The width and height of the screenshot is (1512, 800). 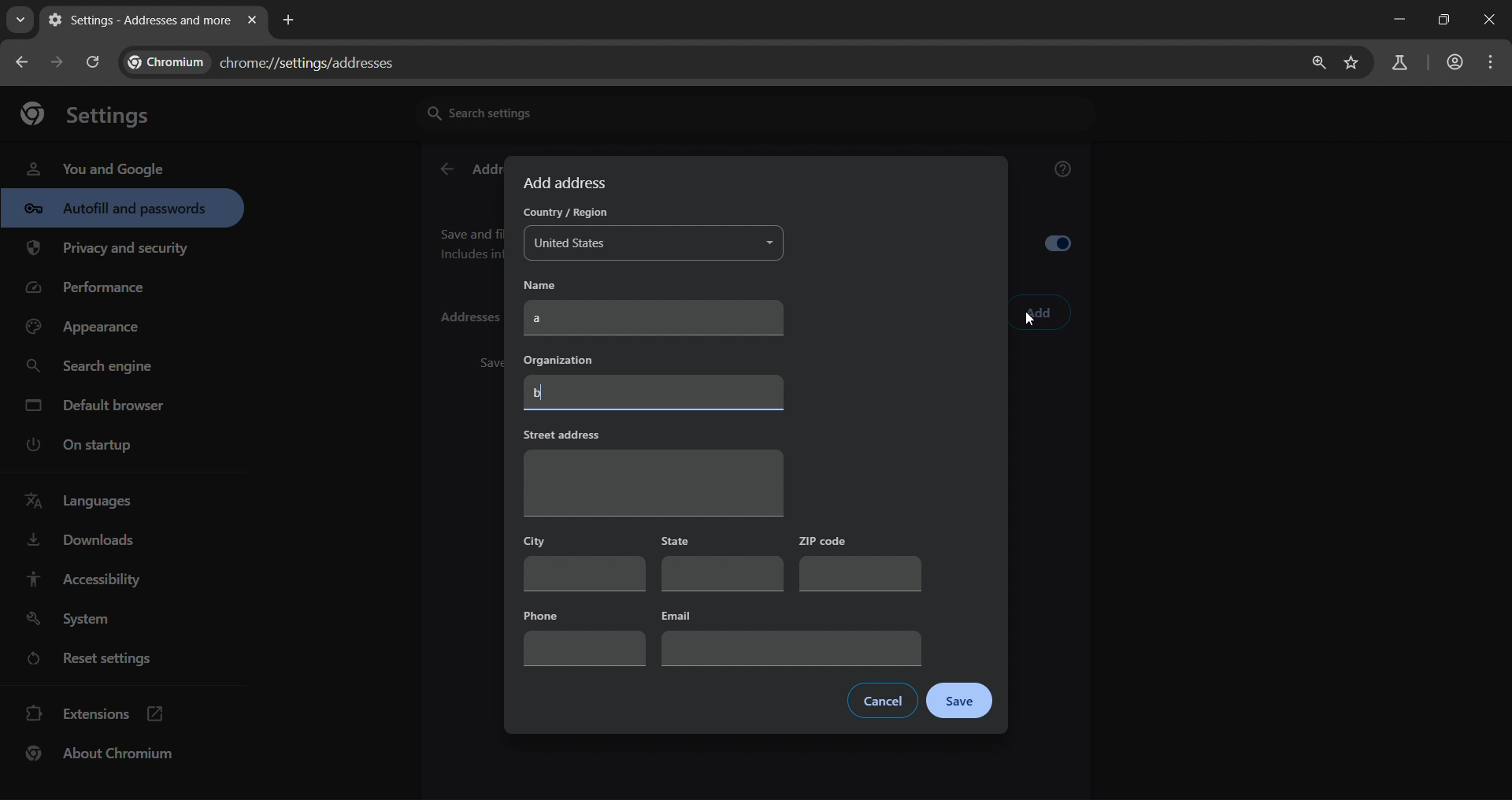 What do you see at coordinates (562, 214) in the screenshot?
I see `country` at bounding box center [562, 214].